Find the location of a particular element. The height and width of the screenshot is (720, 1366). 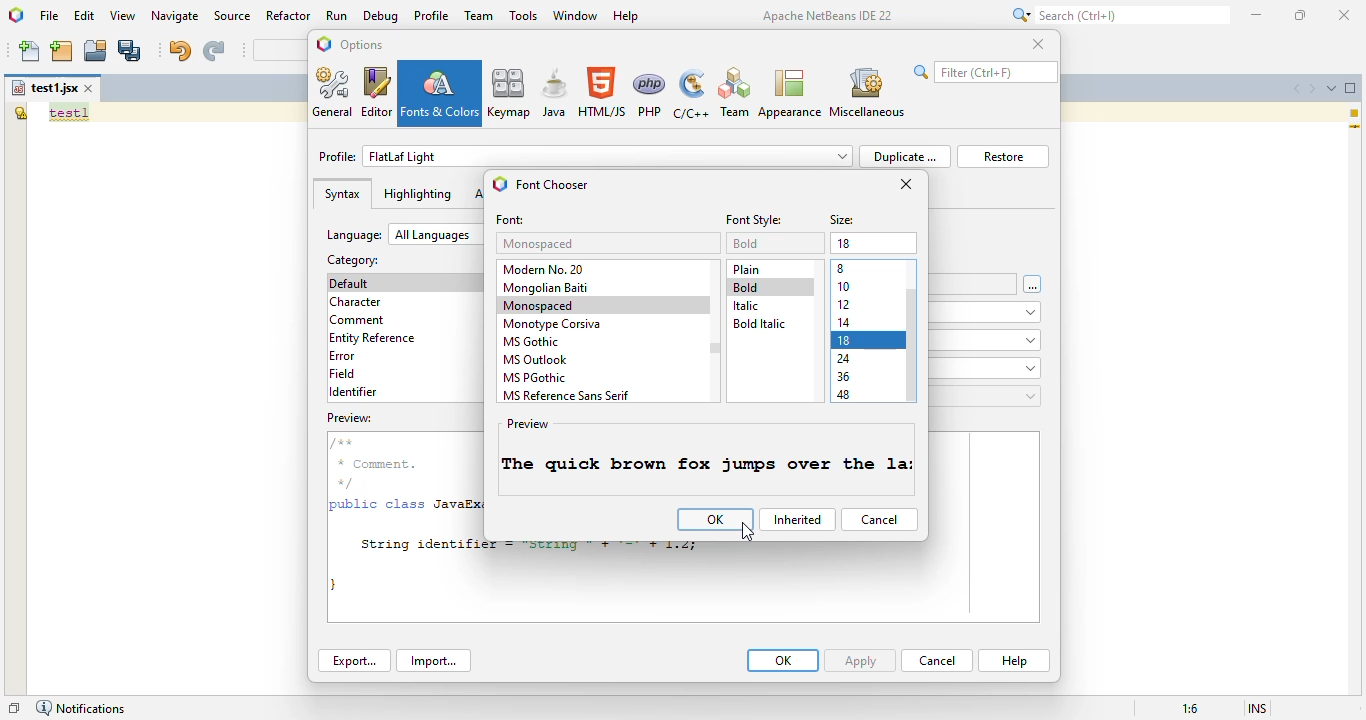

maximize is located at coordinates (1301, 15).